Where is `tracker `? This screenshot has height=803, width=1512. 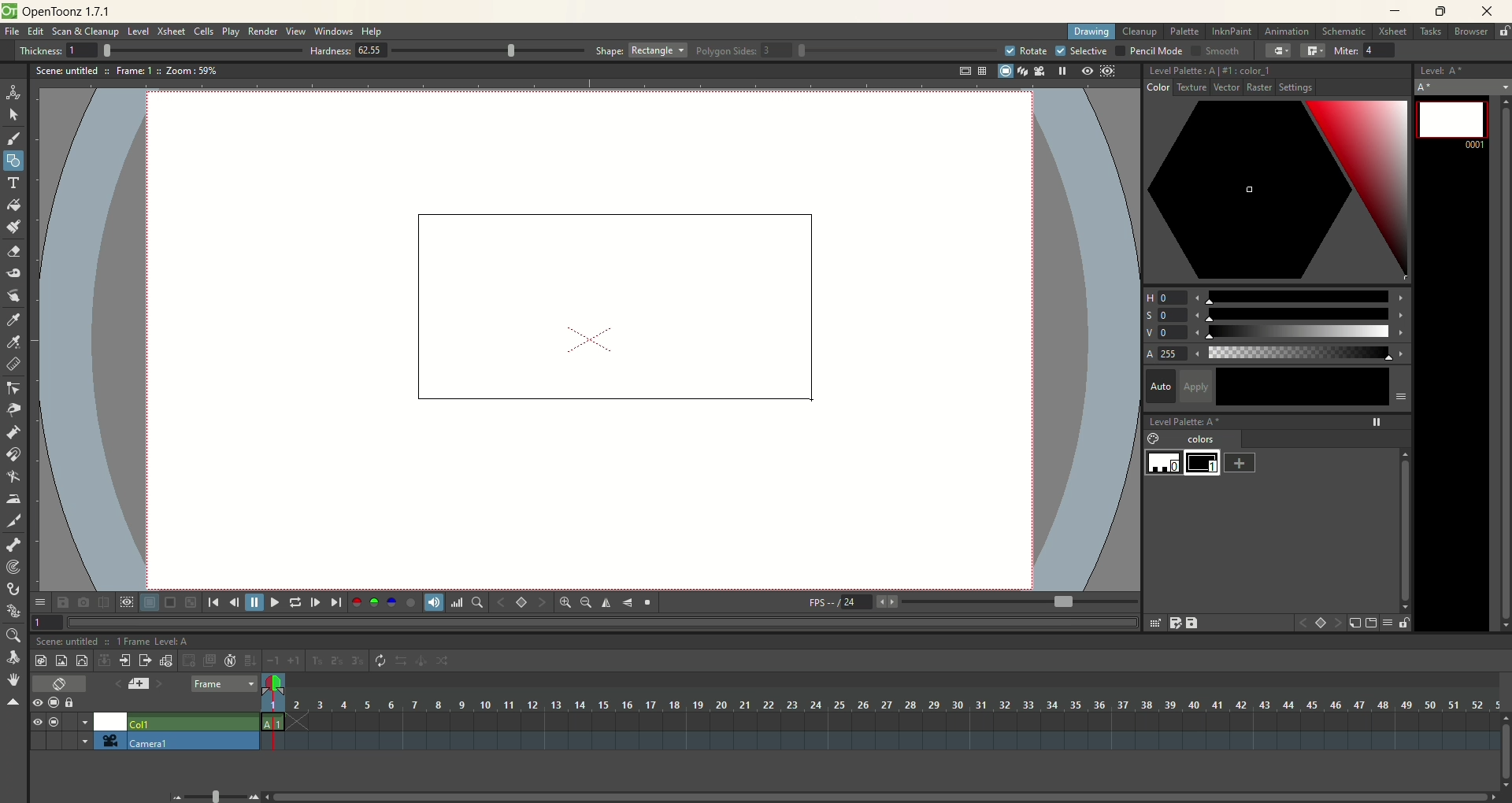
tracker  is located at coordinates (13, 568).